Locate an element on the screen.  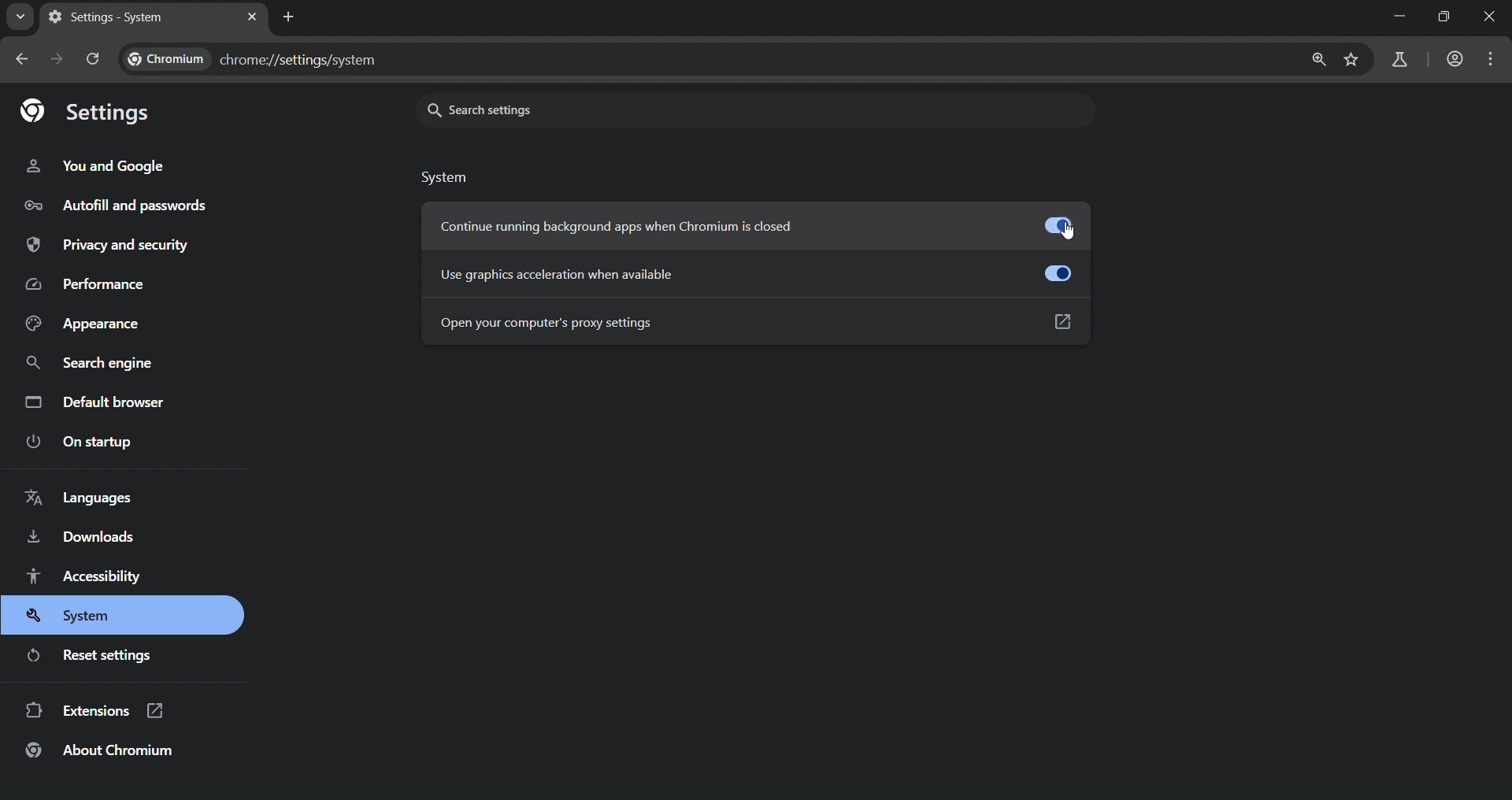
accounts is located at coordinates (1458, 59).